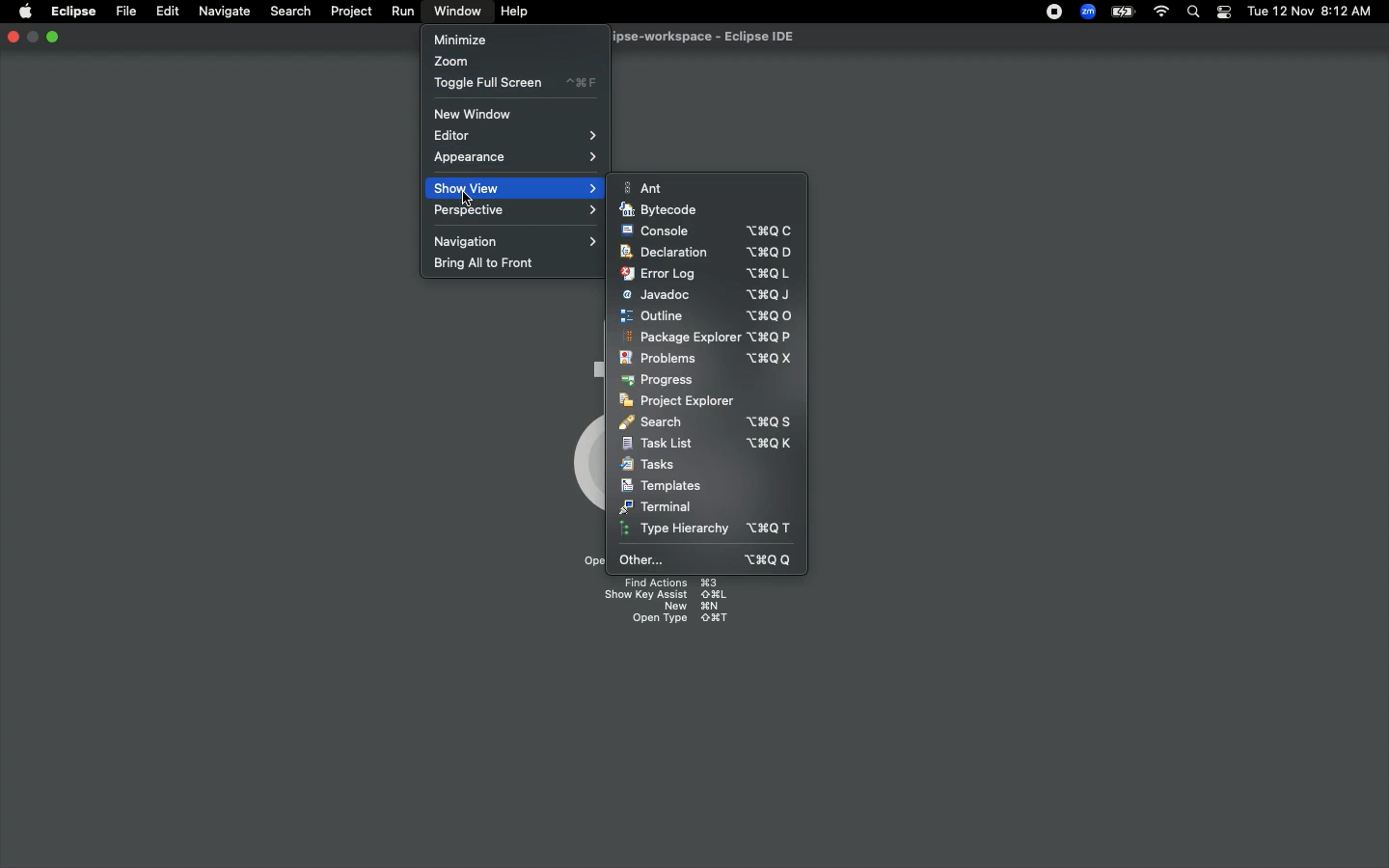 The width and height of the screenshot is (1389, 868). Describe the element at coordinates (710, 358) in the screenshot. I see `Problems` at that location.